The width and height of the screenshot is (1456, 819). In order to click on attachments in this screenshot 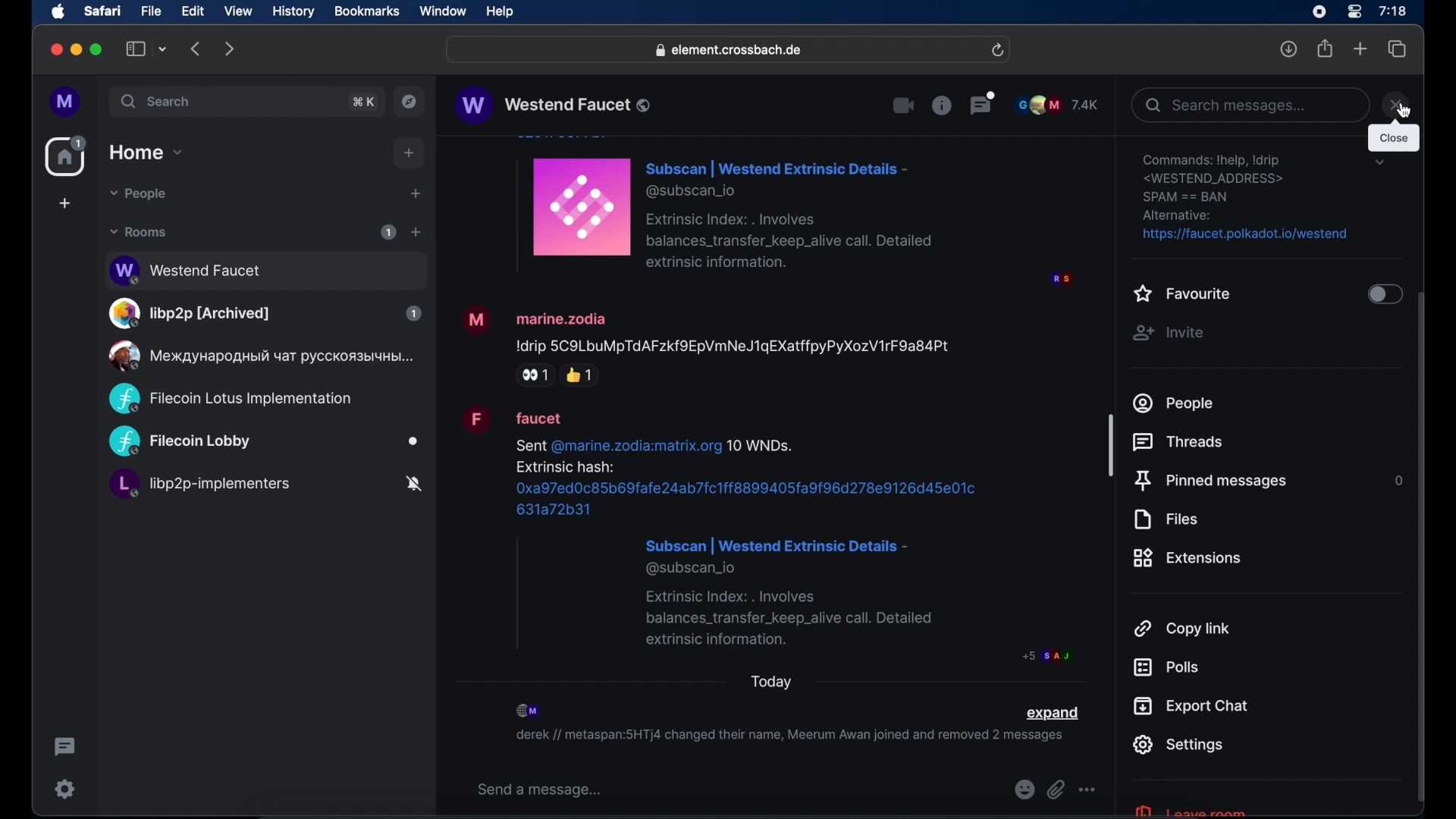, I will do `click(1056, 790)`.